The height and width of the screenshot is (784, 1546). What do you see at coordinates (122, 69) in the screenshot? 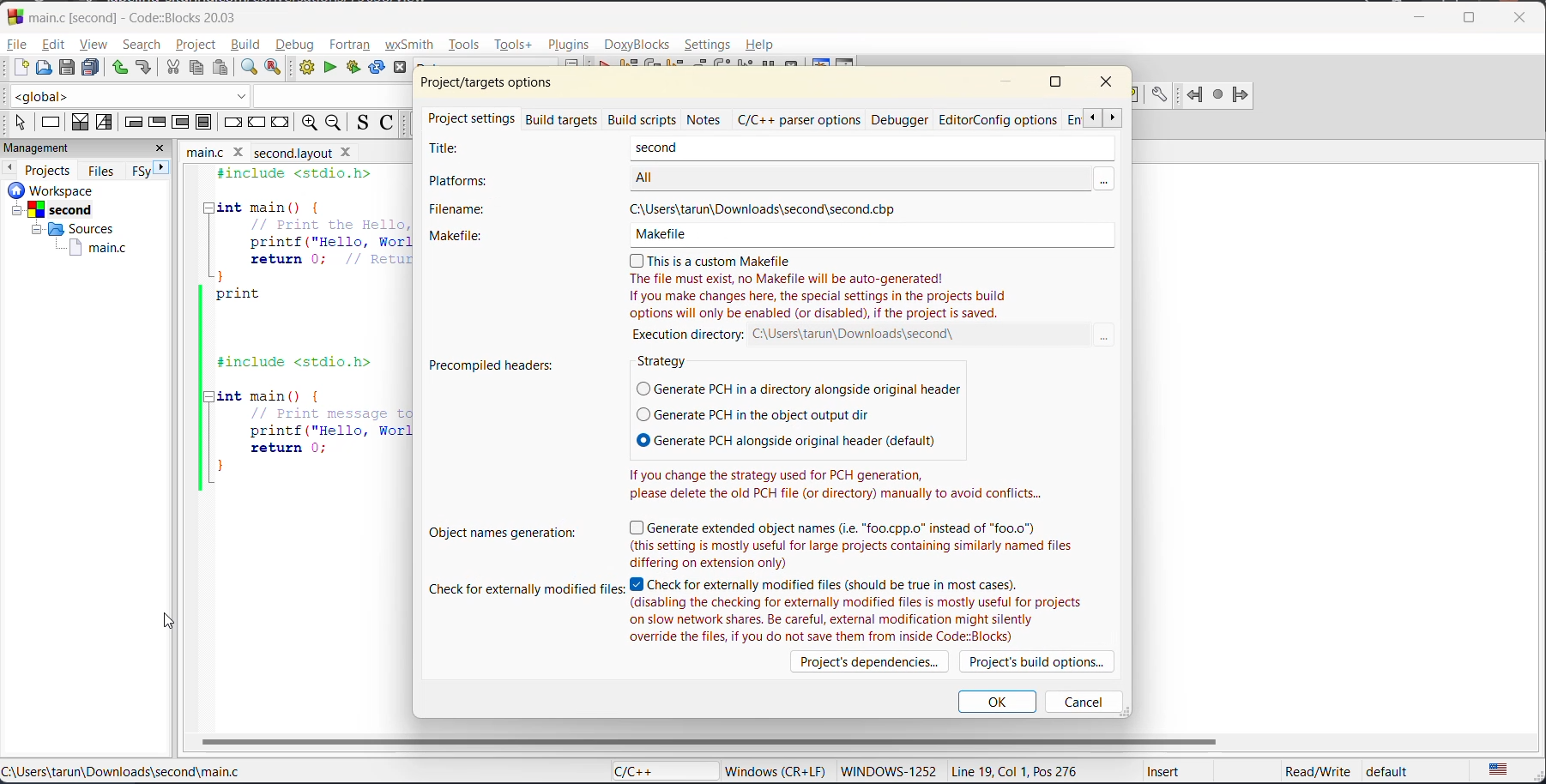
I see `undo` at bounding box center [122, 69].